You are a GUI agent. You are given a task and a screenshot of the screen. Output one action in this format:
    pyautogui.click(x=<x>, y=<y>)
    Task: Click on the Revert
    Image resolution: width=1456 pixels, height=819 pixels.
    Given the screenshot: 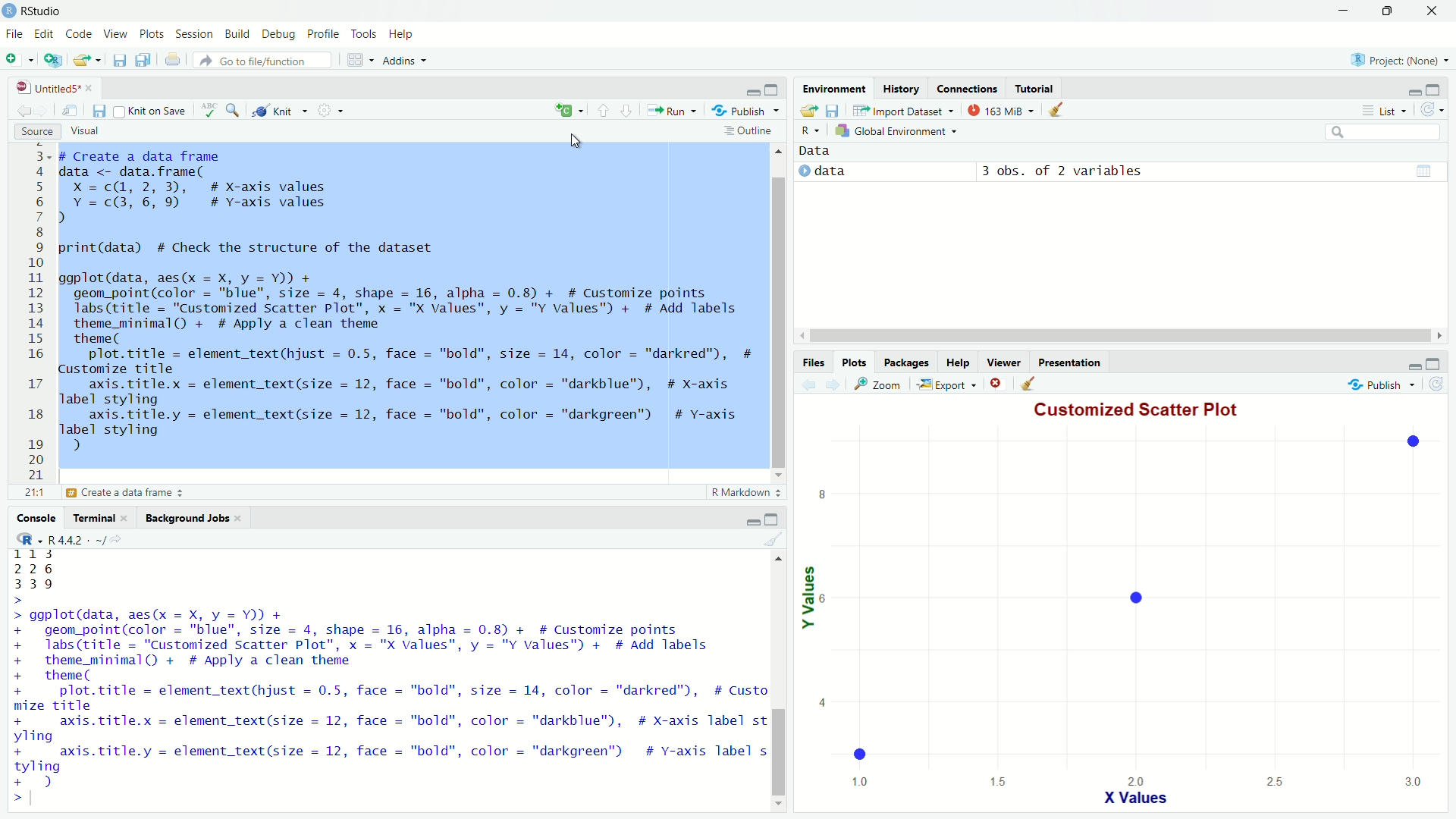 What is the action you would take?
    pyautogui.click(x=1442, y=389)
    